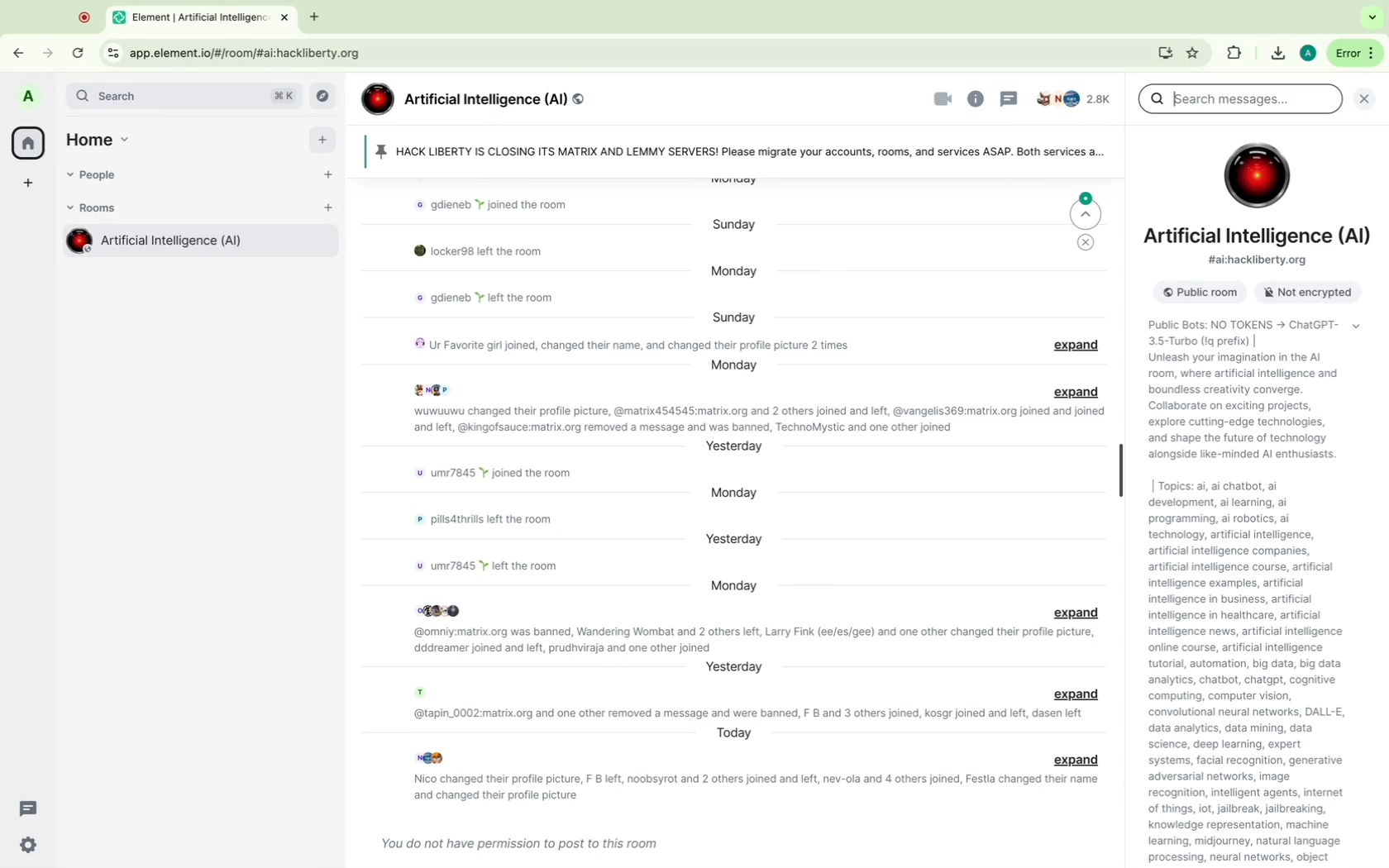  I want to click on search, so click(185, 96).